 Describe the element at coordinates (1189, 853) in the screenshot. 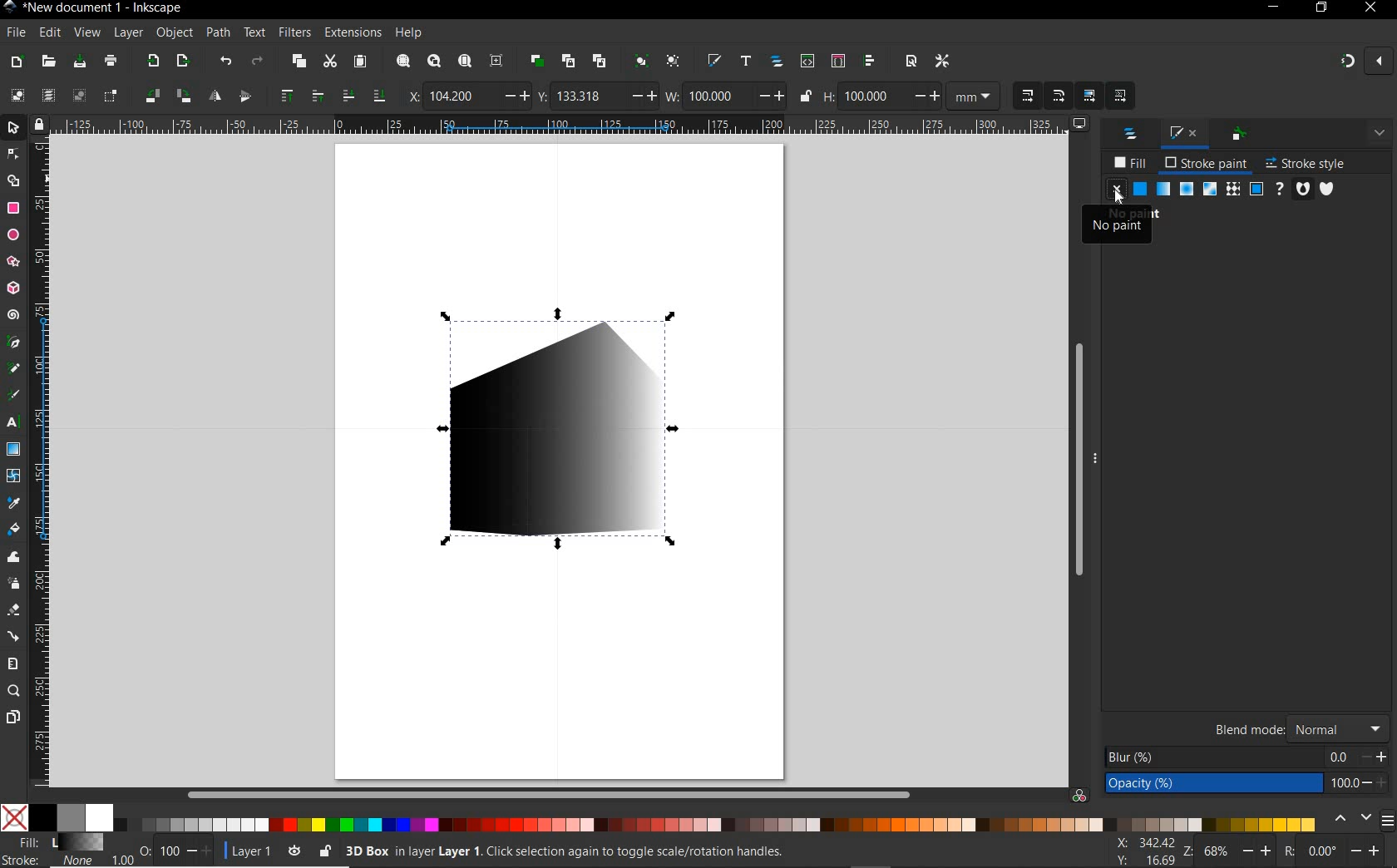

I see `ZOOM` at that location.